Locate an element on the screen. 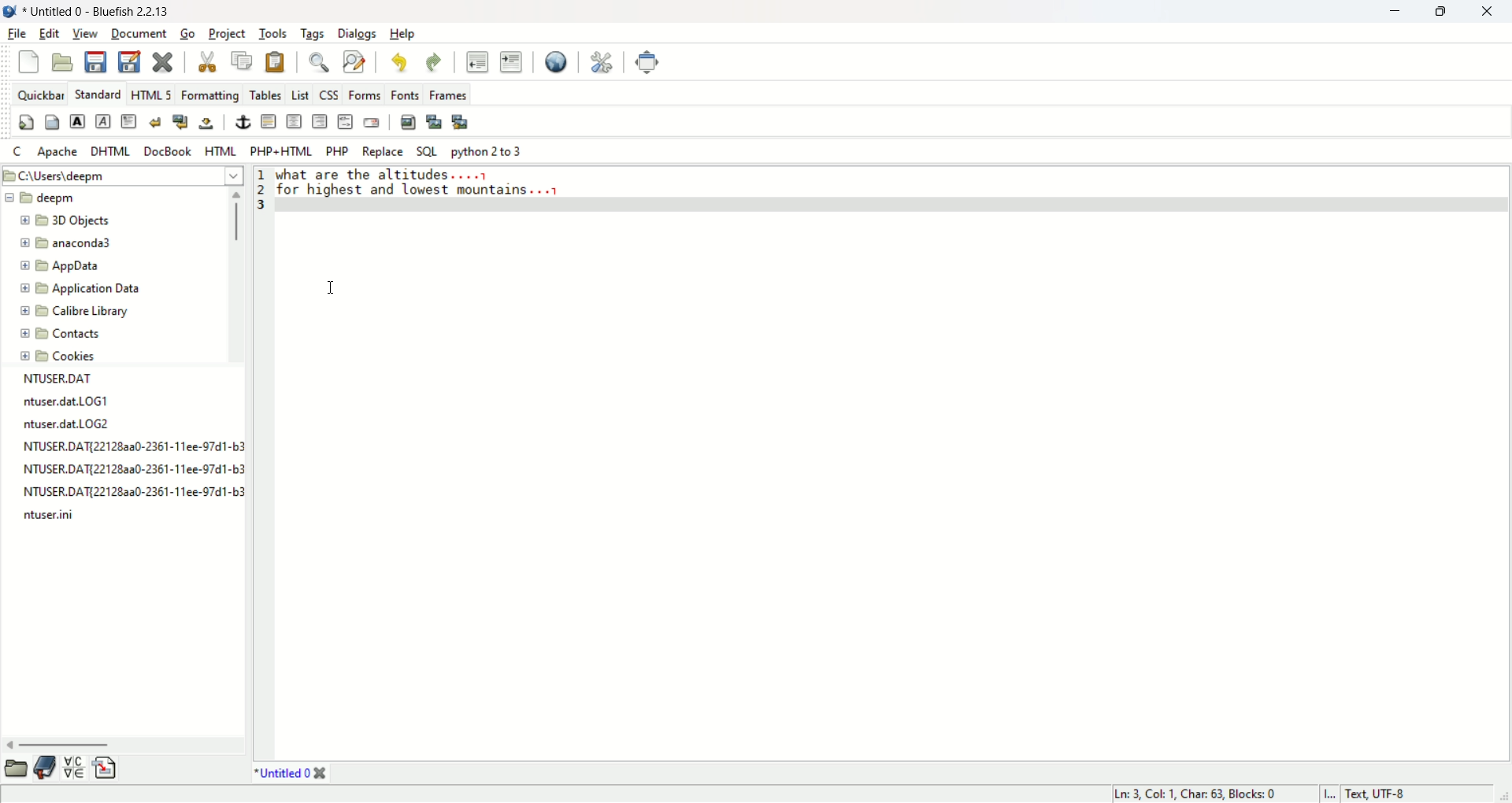 This screenshot has width=1512, height=803. go is located at coordinates (189, 35).